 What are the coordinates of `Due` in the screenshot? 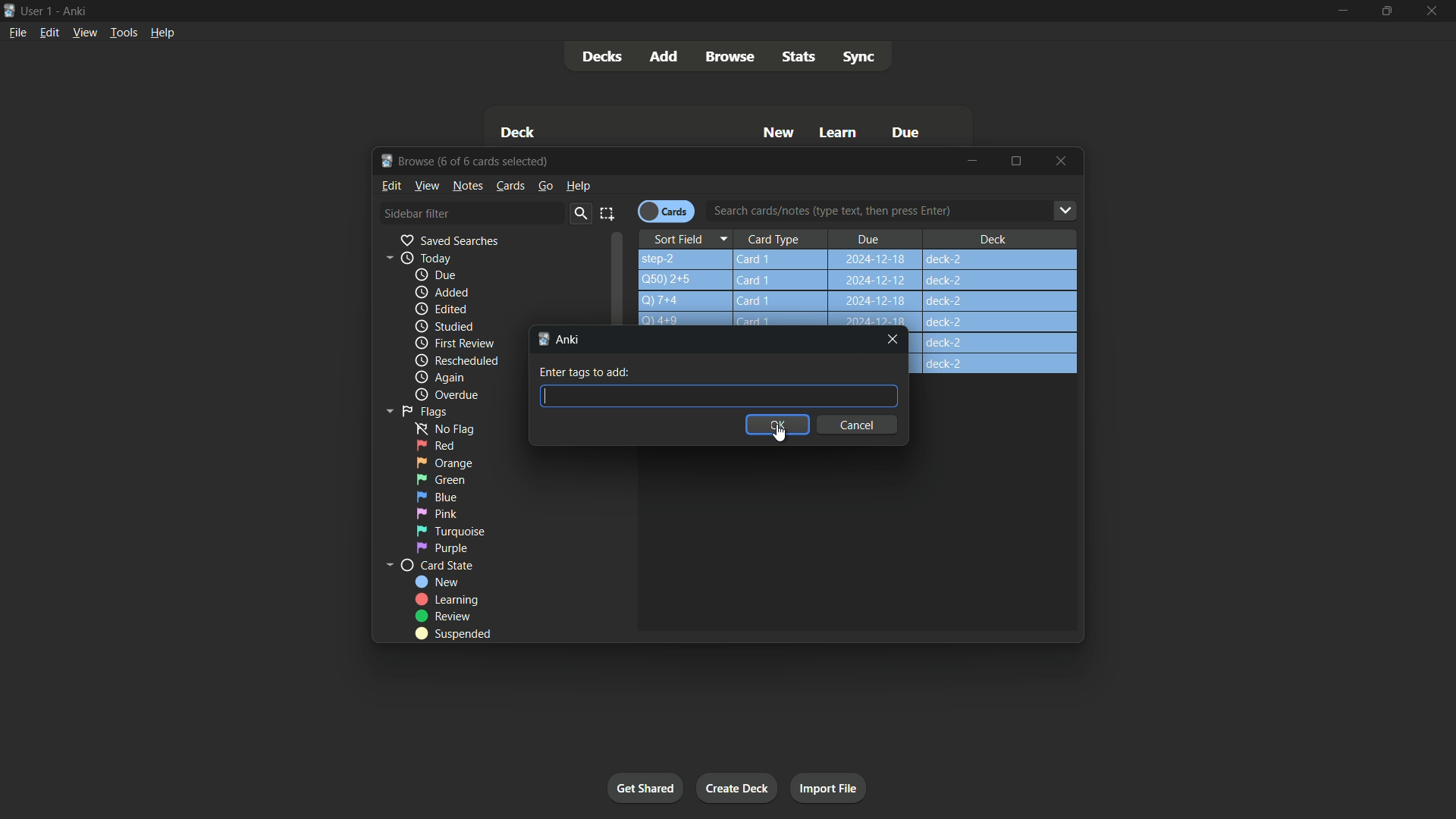 It's located at (903, 132).